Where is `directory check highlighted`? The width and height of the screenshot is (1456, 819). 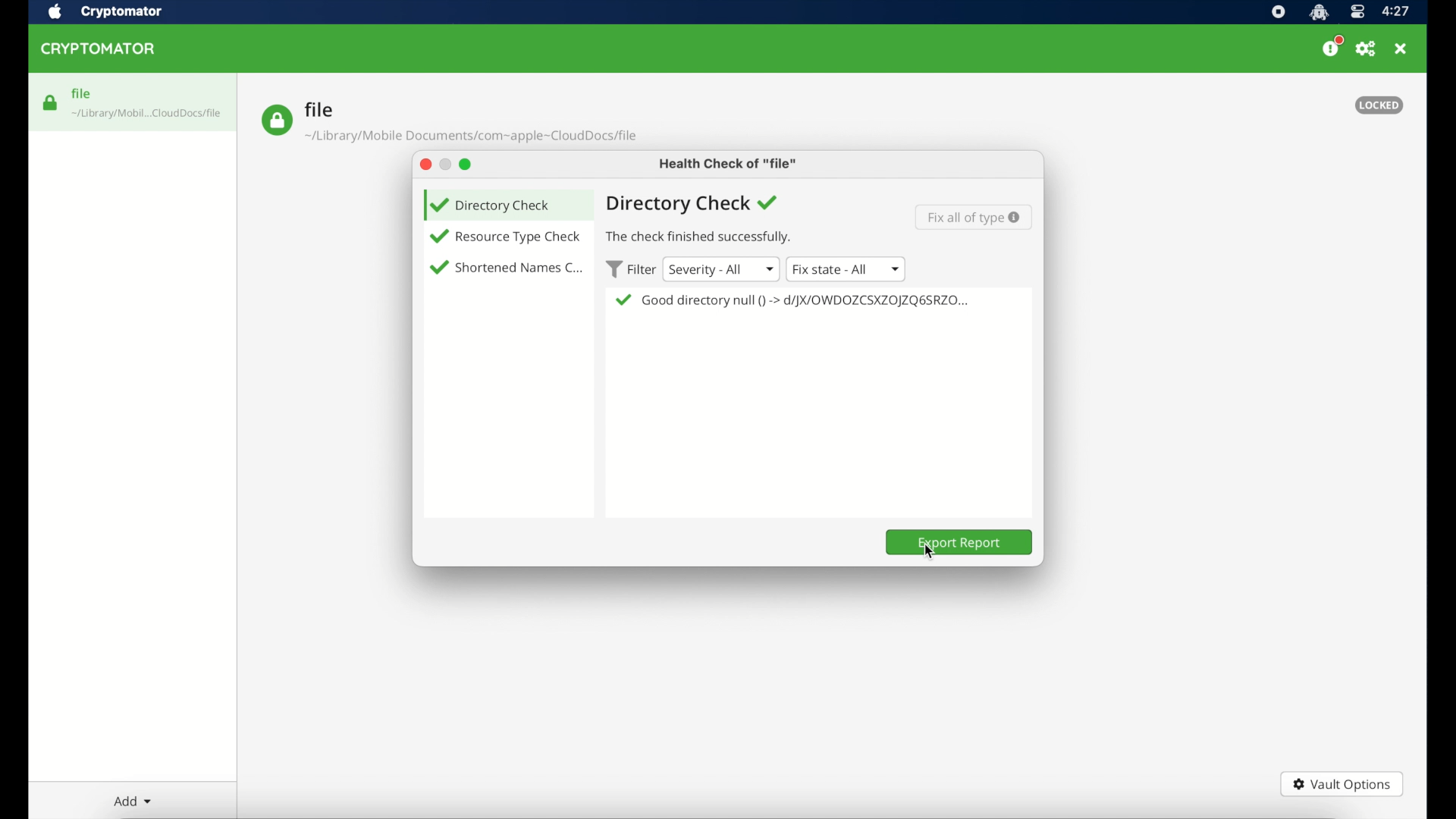 directory check highlighted is located at coordinates (507, 204).